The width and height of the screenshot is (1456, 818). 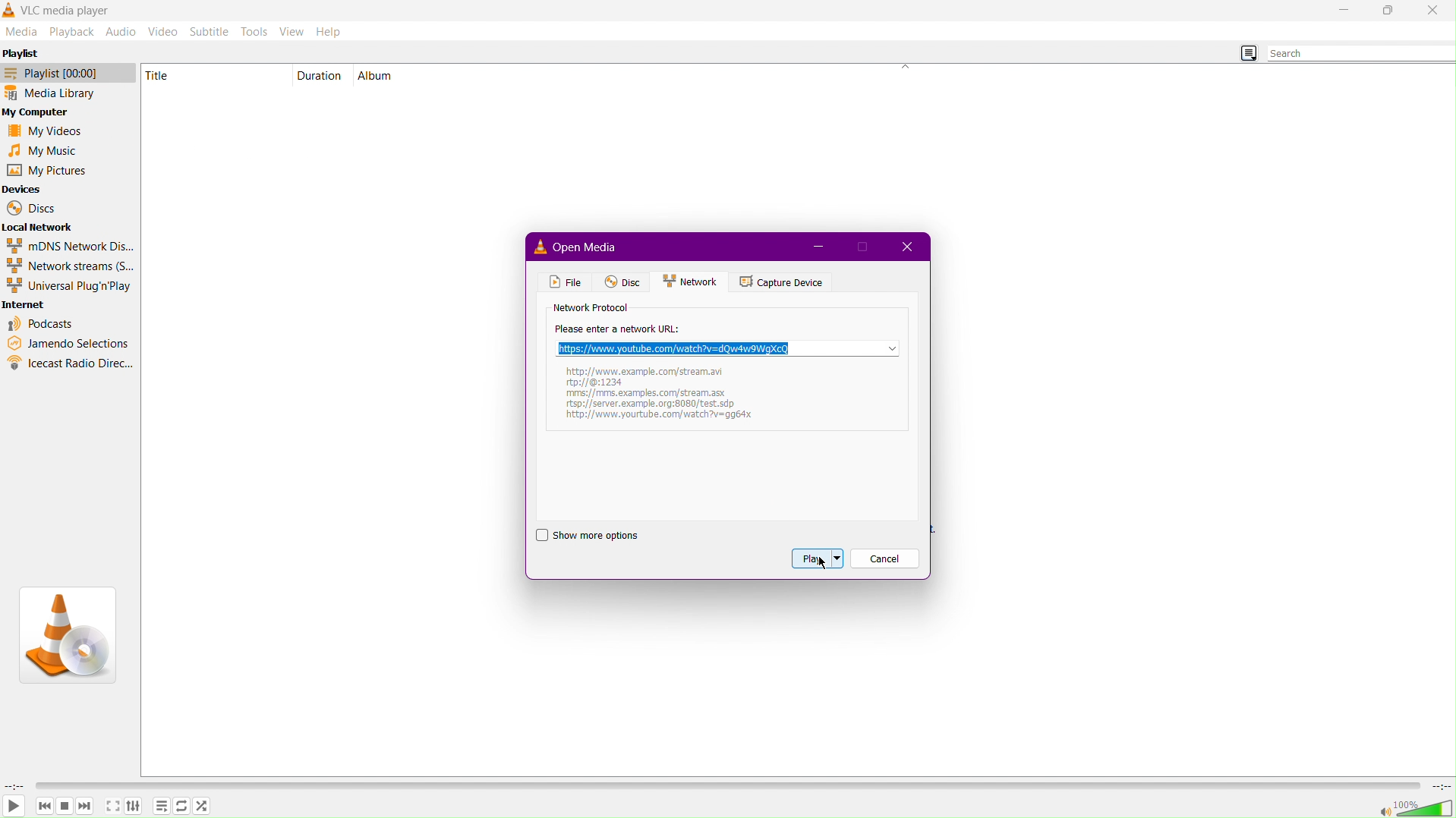 What do you see at coordinates (255, 31) in the screenshot?
I see `Tools` at bounding box center [255, 31].